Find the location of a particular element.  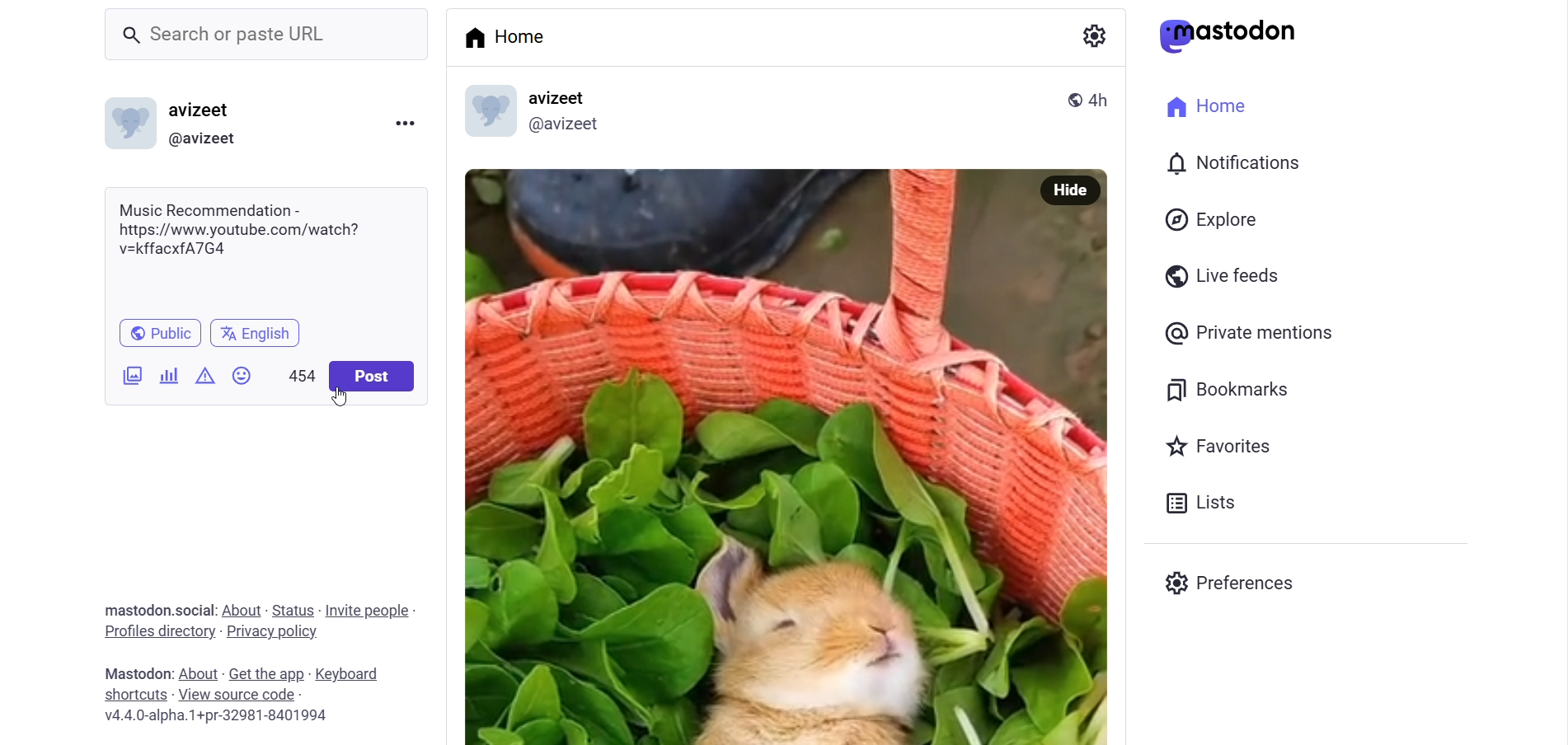

Public is located at coordinates (160, 332).